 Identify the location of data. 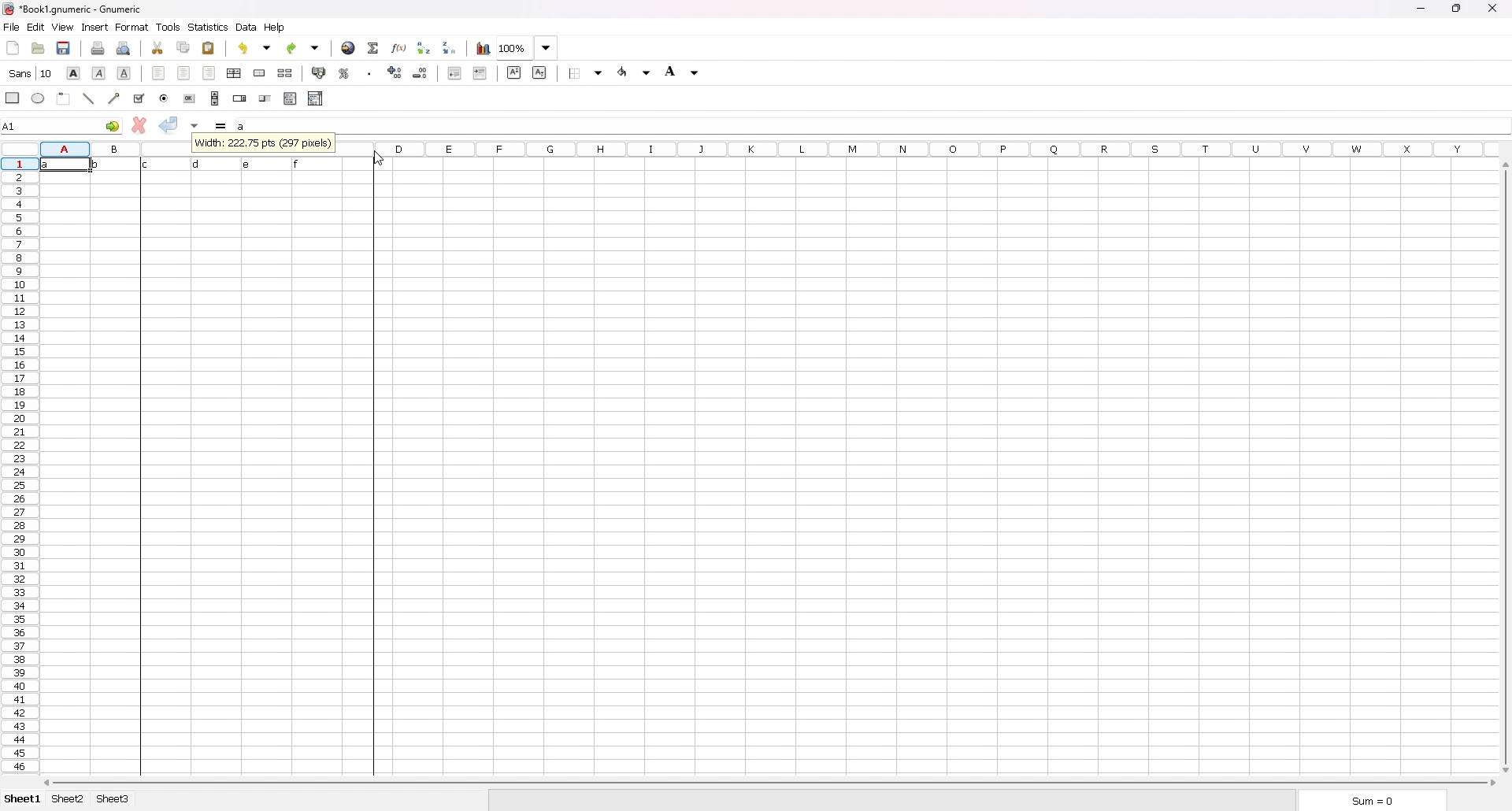
(202, 165).